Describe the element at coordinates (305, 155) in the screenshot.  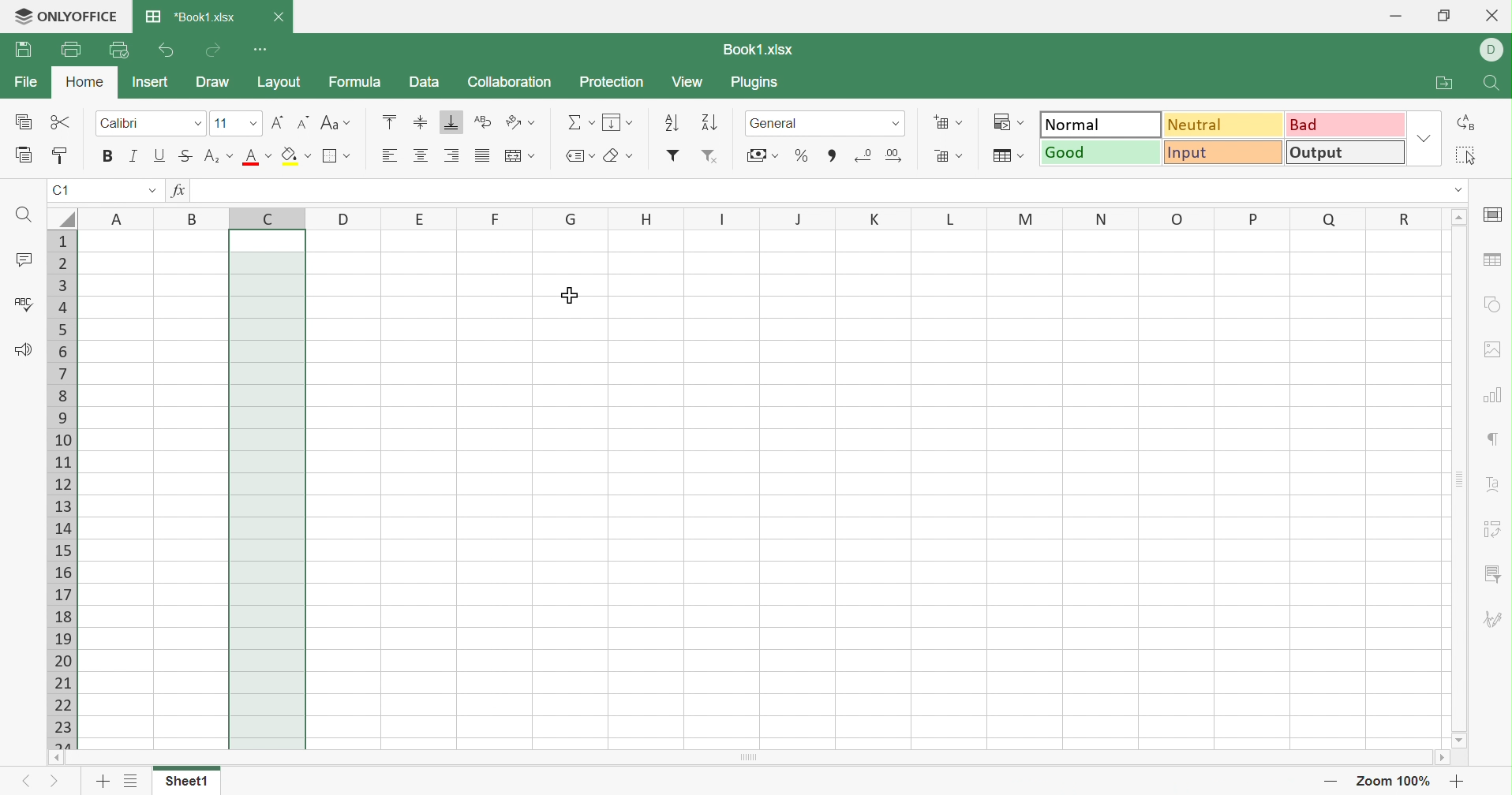
I see `Drop Down` at that location.